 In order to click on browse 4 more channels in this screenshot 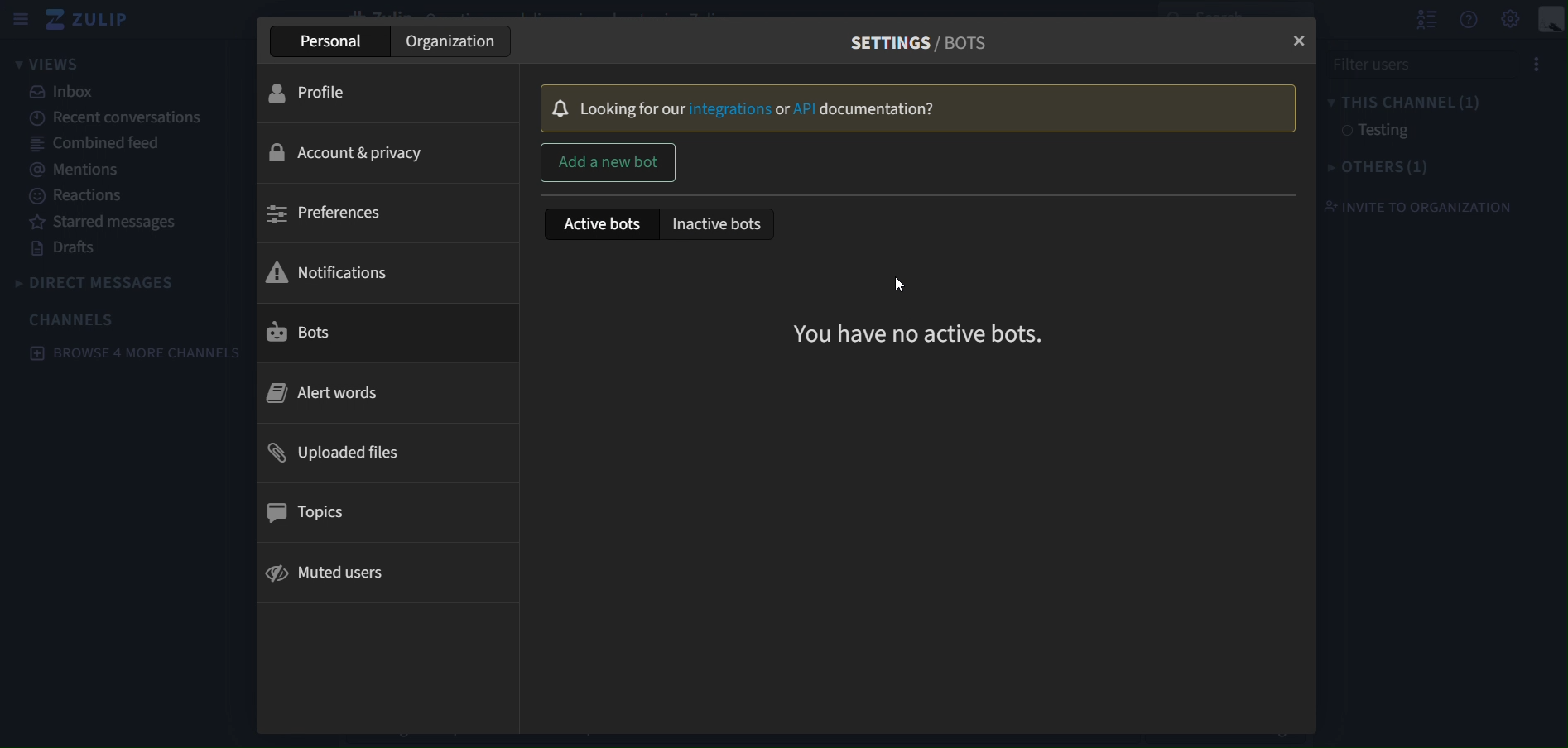, I will do `click(132, 353)`.